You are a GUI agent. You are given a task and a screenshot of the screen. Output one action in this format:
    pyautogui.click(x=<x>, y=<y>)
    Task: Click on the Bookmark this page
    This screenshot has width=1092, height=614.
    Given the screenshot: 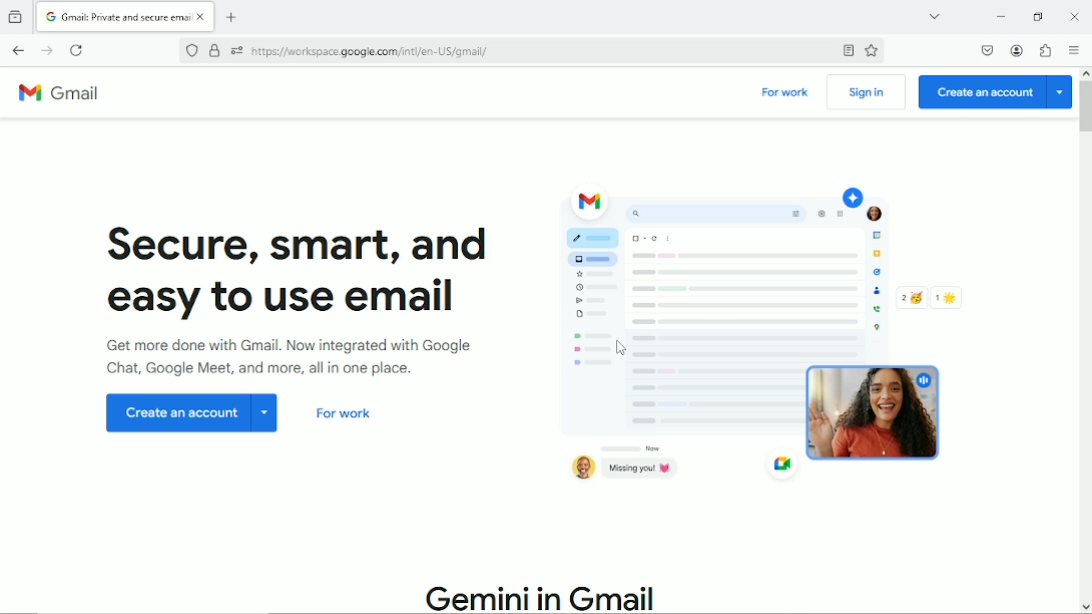 What is the action you would take?
    pyautogui.click(x=871, y=52)
    